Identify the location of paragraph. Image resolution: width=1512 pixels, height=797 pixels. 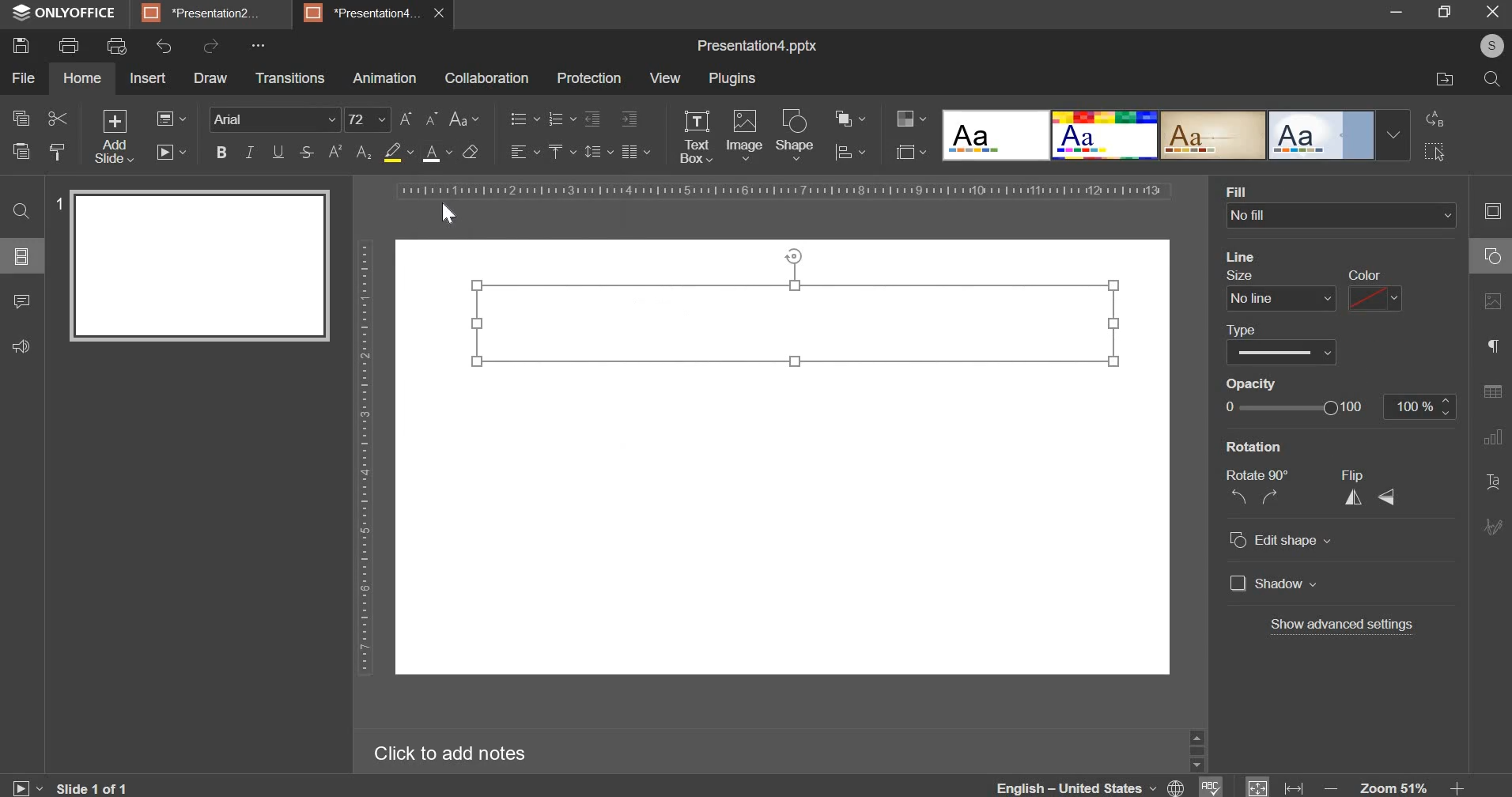
(1488, 347).